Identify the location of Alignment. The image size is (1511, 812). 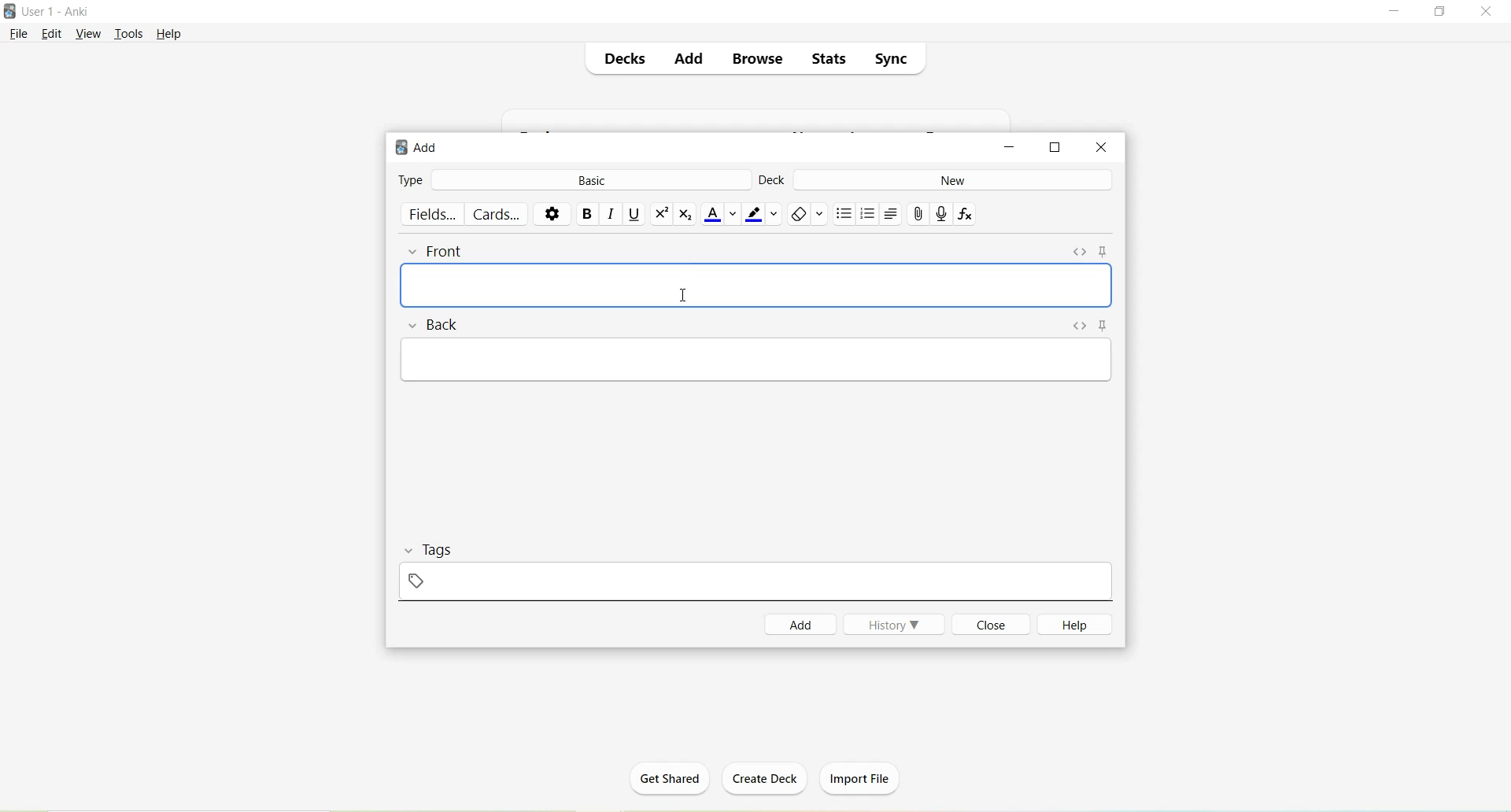
(892, 214).